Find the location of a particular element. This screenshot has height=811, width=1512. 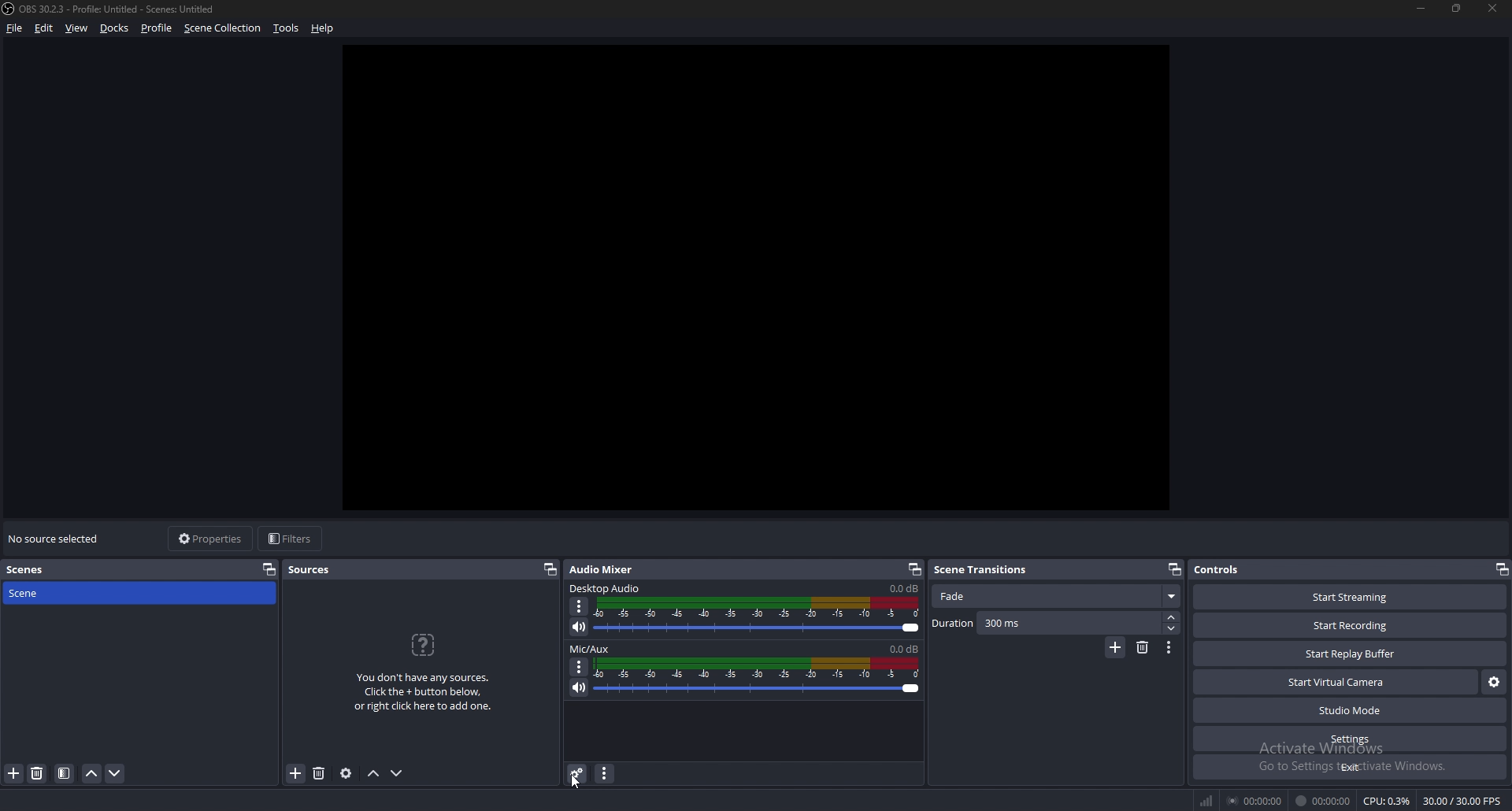

no source selected is located at coordinates (57, 538).